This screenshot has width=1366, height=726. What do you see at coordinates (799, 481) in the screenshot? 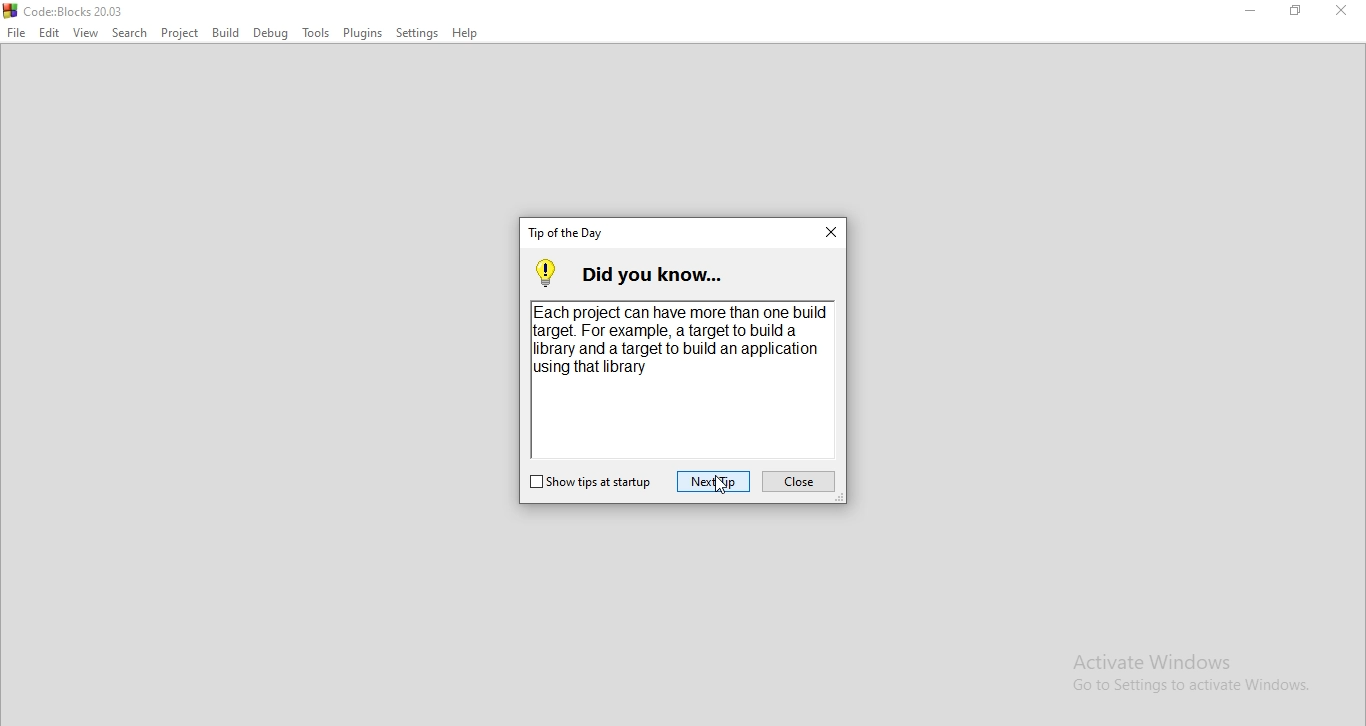
I see `close` at bounding box center [799, 481].